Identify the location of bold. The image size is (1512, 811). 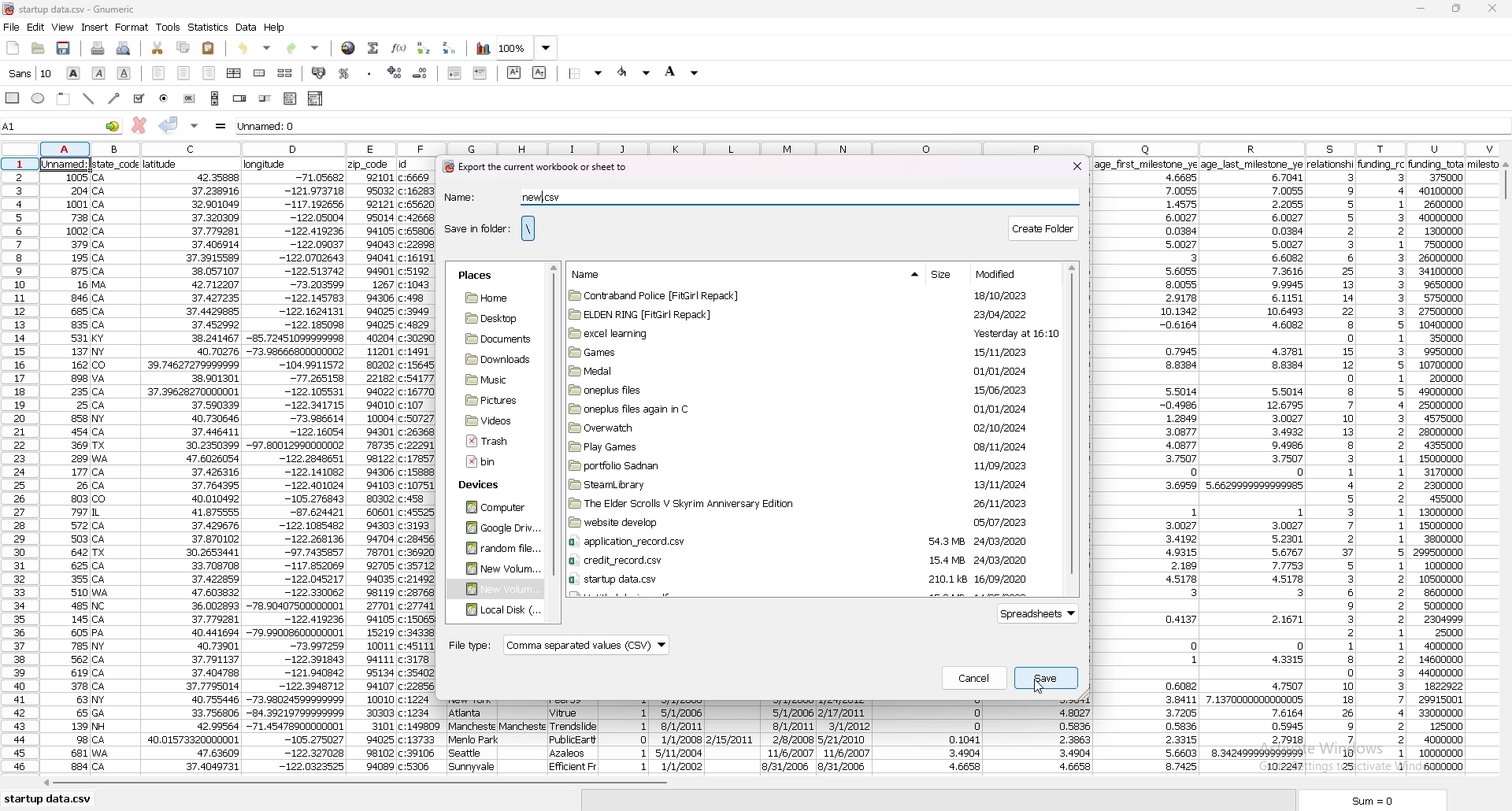
(74, 73).